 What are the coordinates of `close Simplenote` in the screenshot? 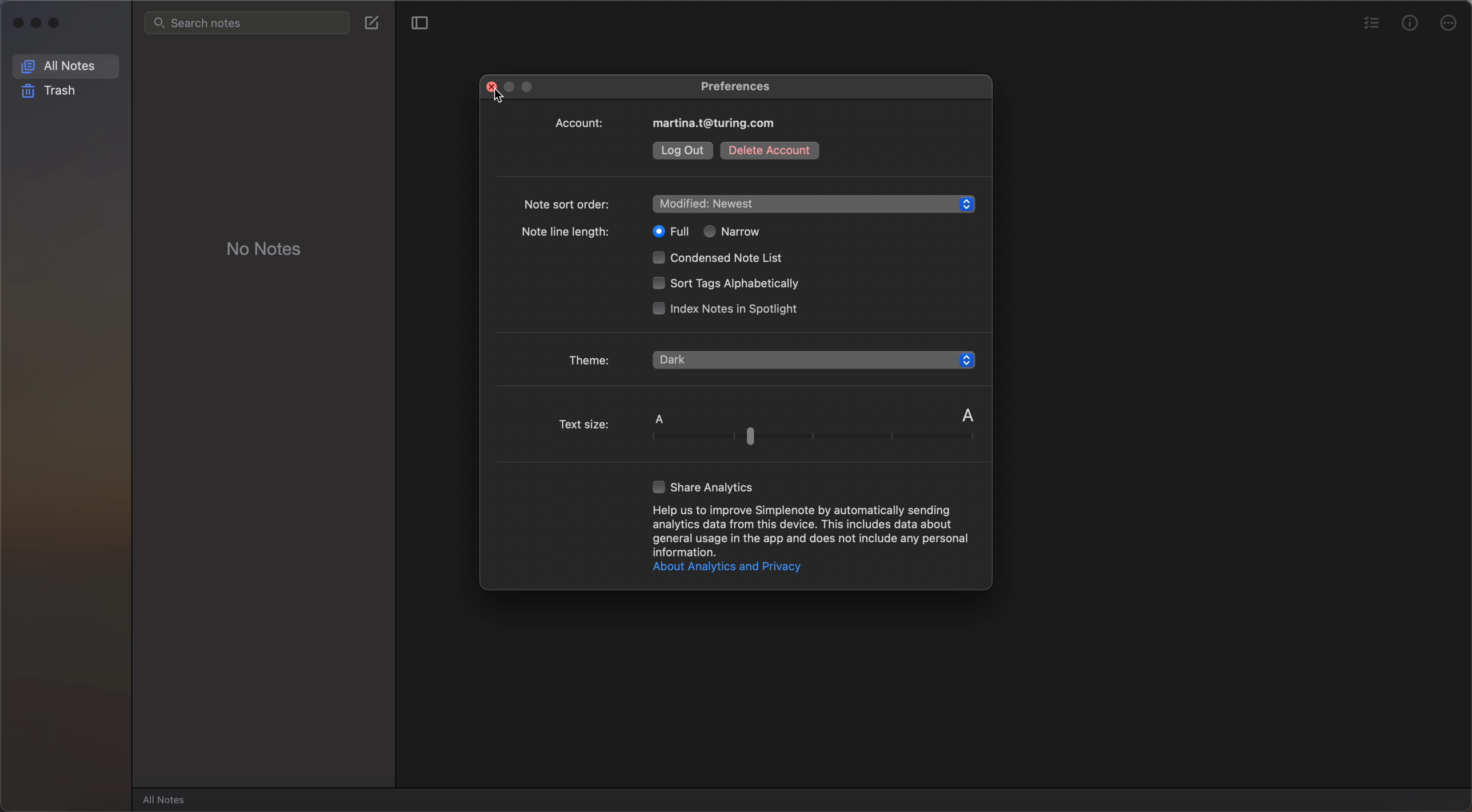 It's located at (17, 22).